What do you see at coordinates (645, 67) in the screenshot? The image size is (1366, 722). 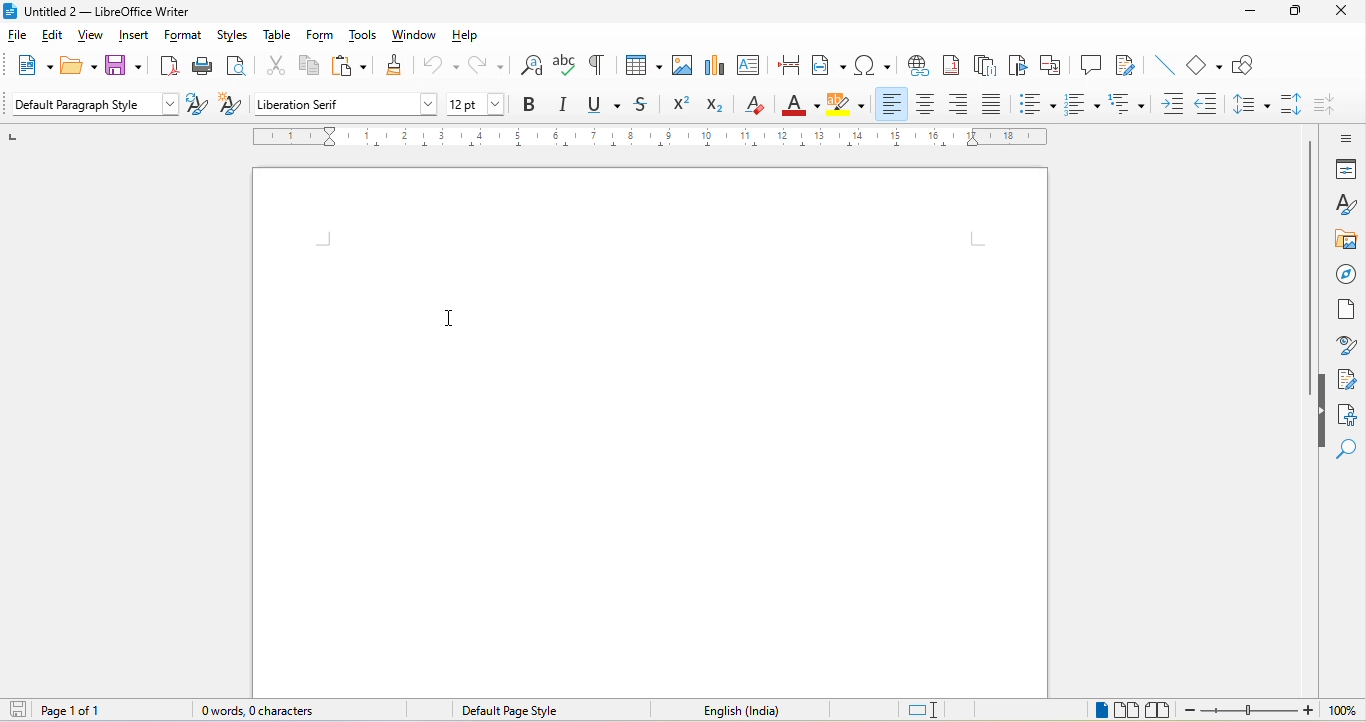 I see `table` at bounding box center [645, 67].